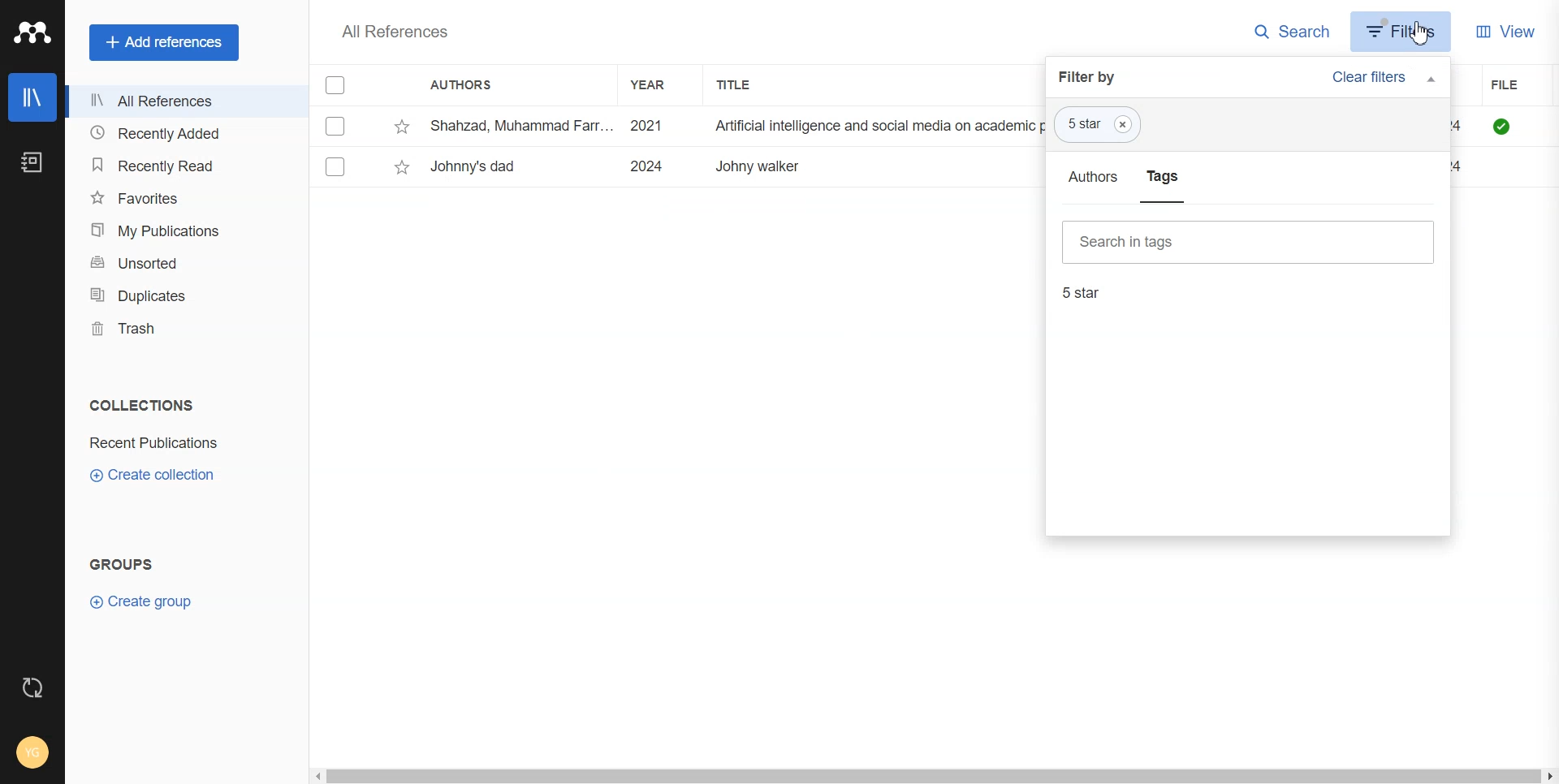 This screenshot has width=1559, height=784. I want to click on My Publication, so click(182, 230).